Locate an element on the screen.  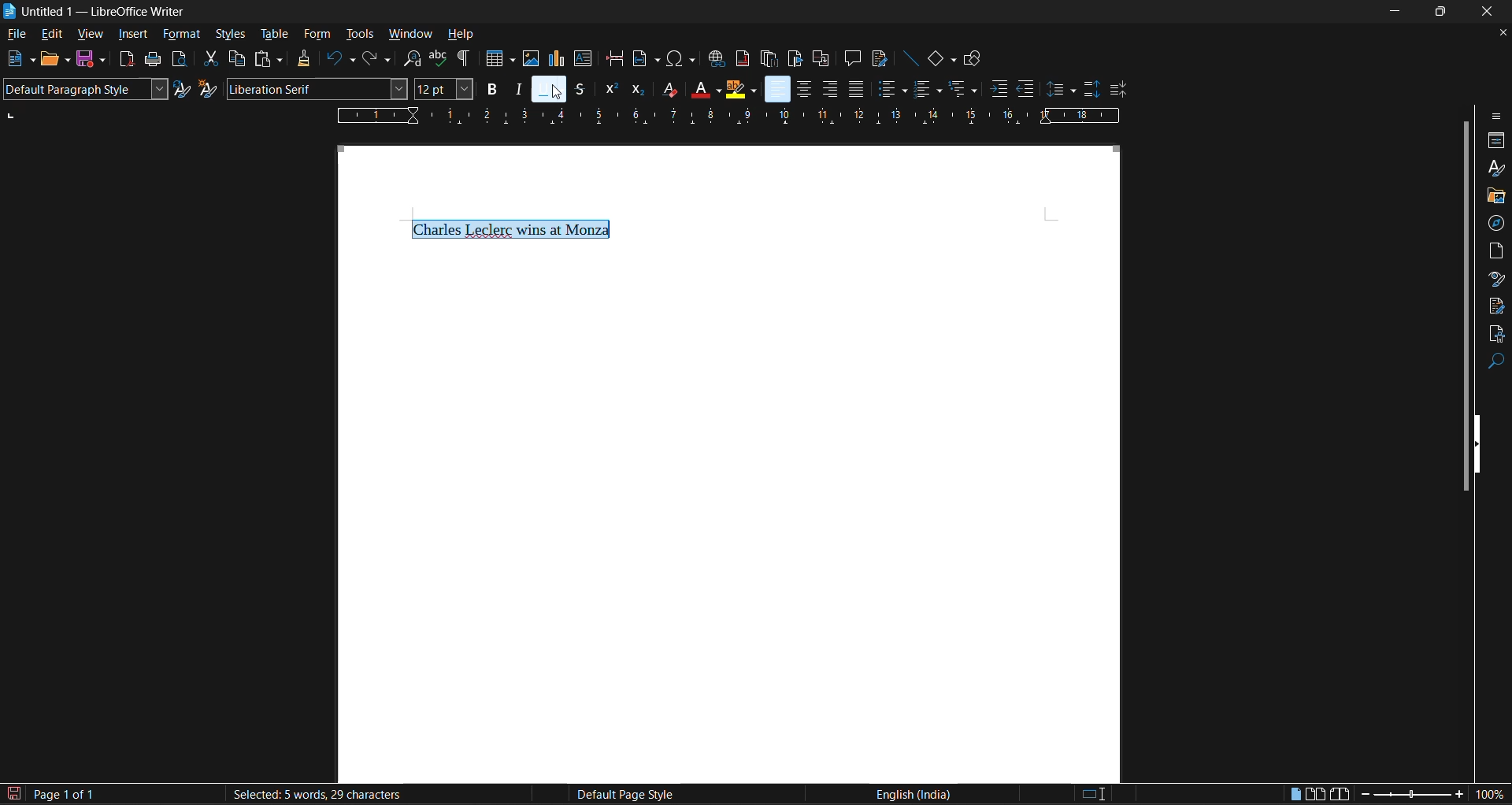
align right is located at coordinates (829, 89).